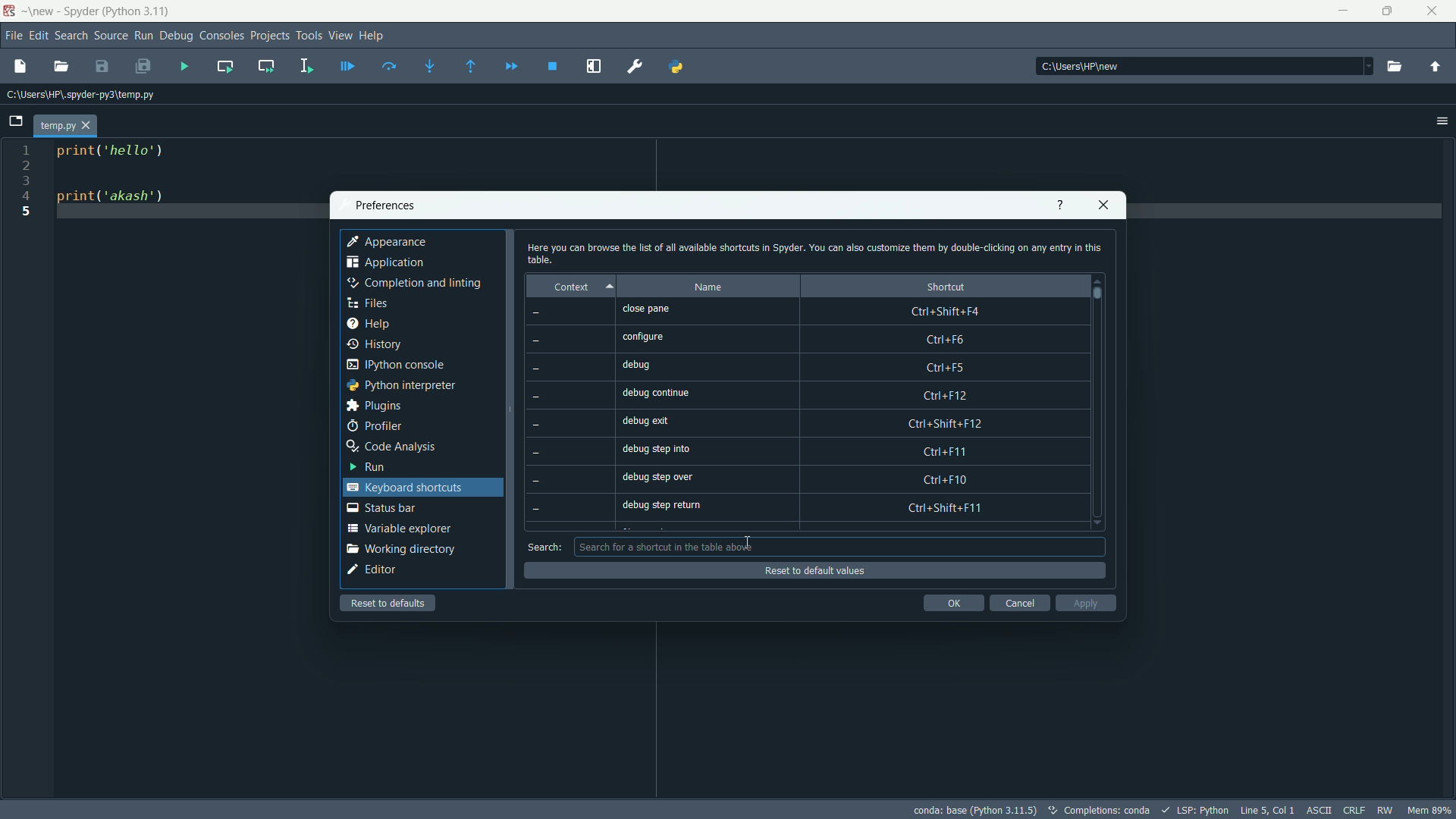  Describe the element at coordinates (29, 199) in the screenshot. I see `4` at that location.